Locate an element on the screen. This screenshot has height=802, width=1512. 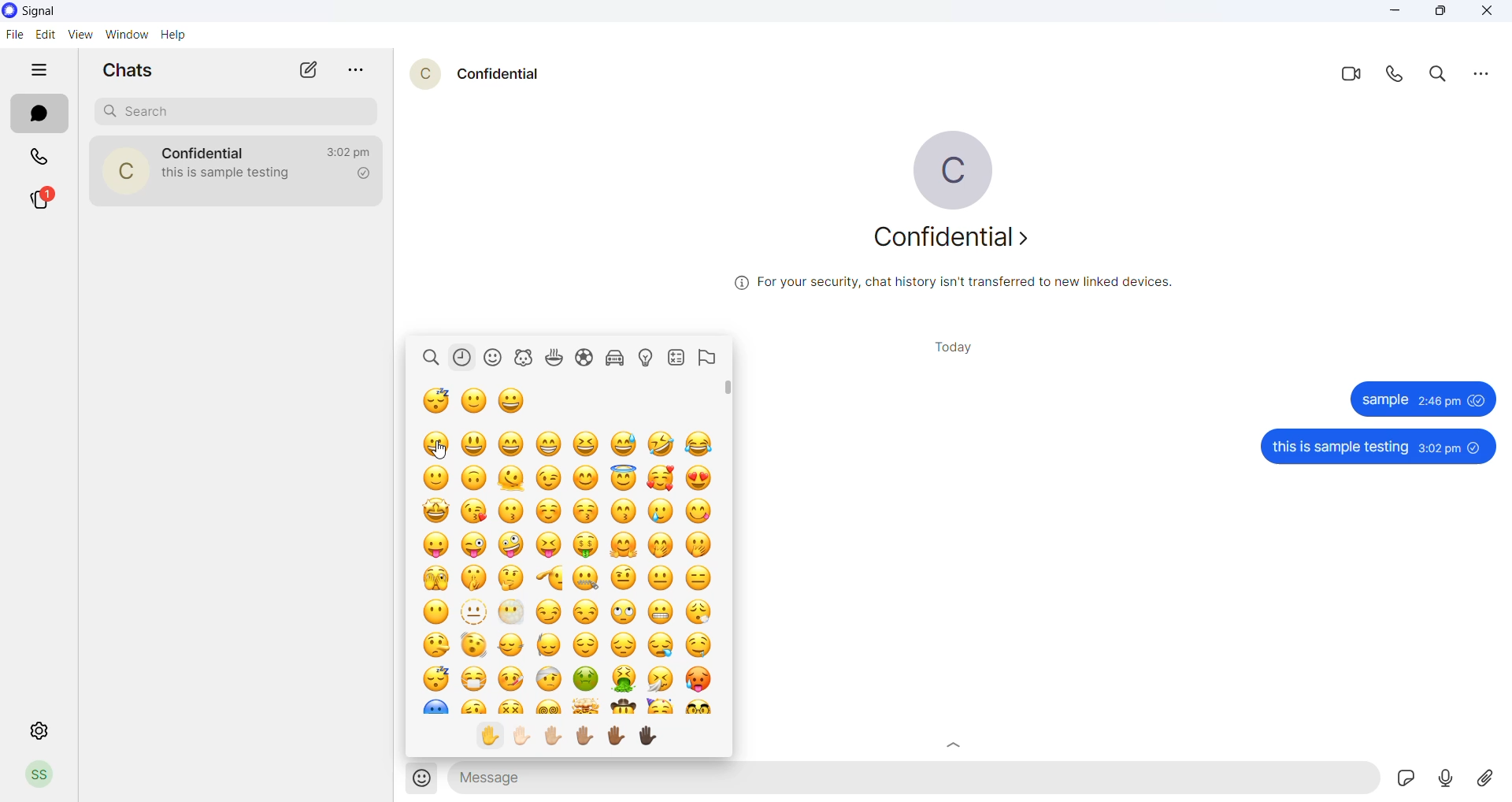
2:46 pm is located at coordinates (1439, 401).